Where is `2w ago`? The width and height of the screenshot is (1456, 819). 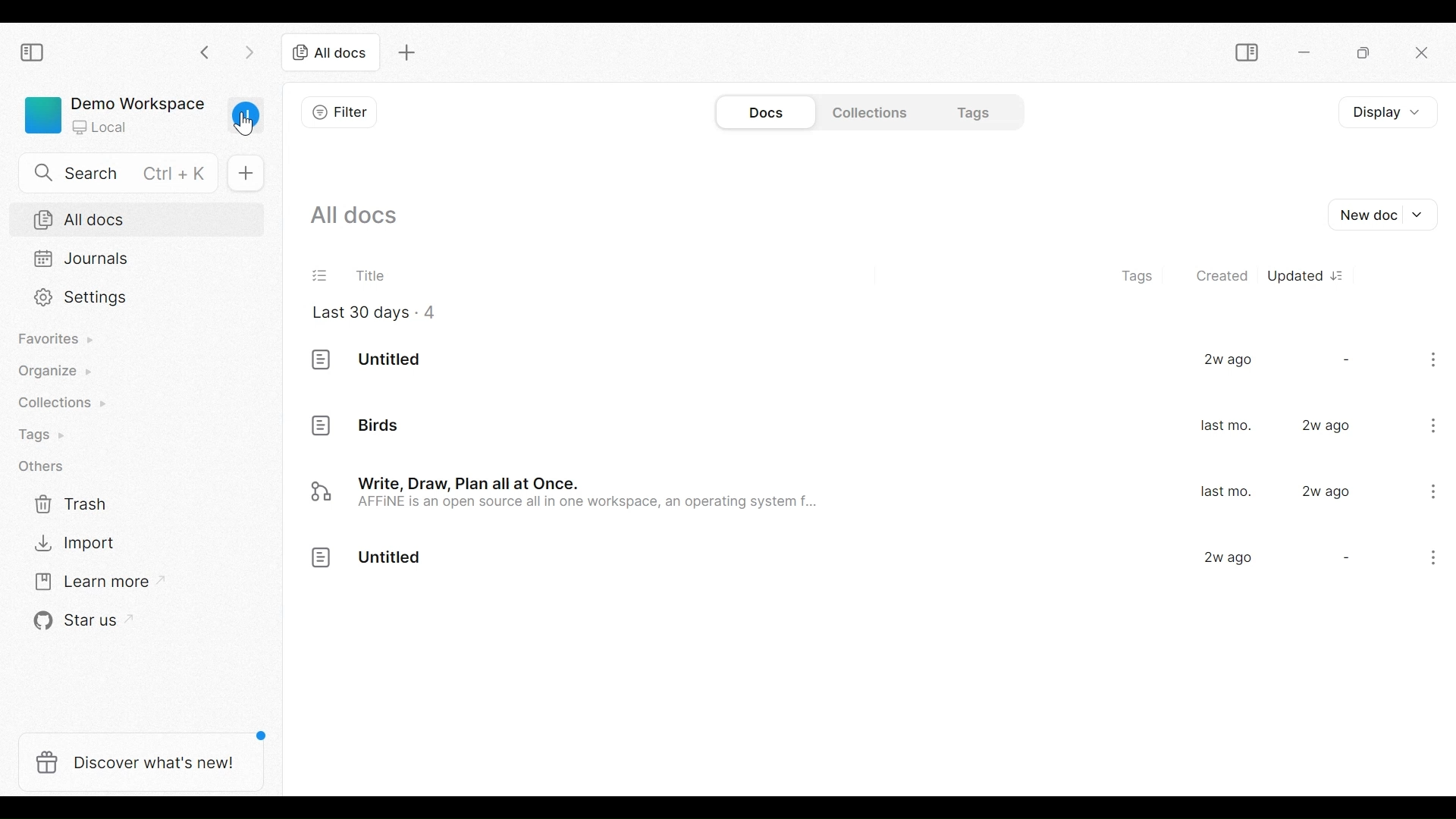
2w ago is located at coordinates (1228, 361).